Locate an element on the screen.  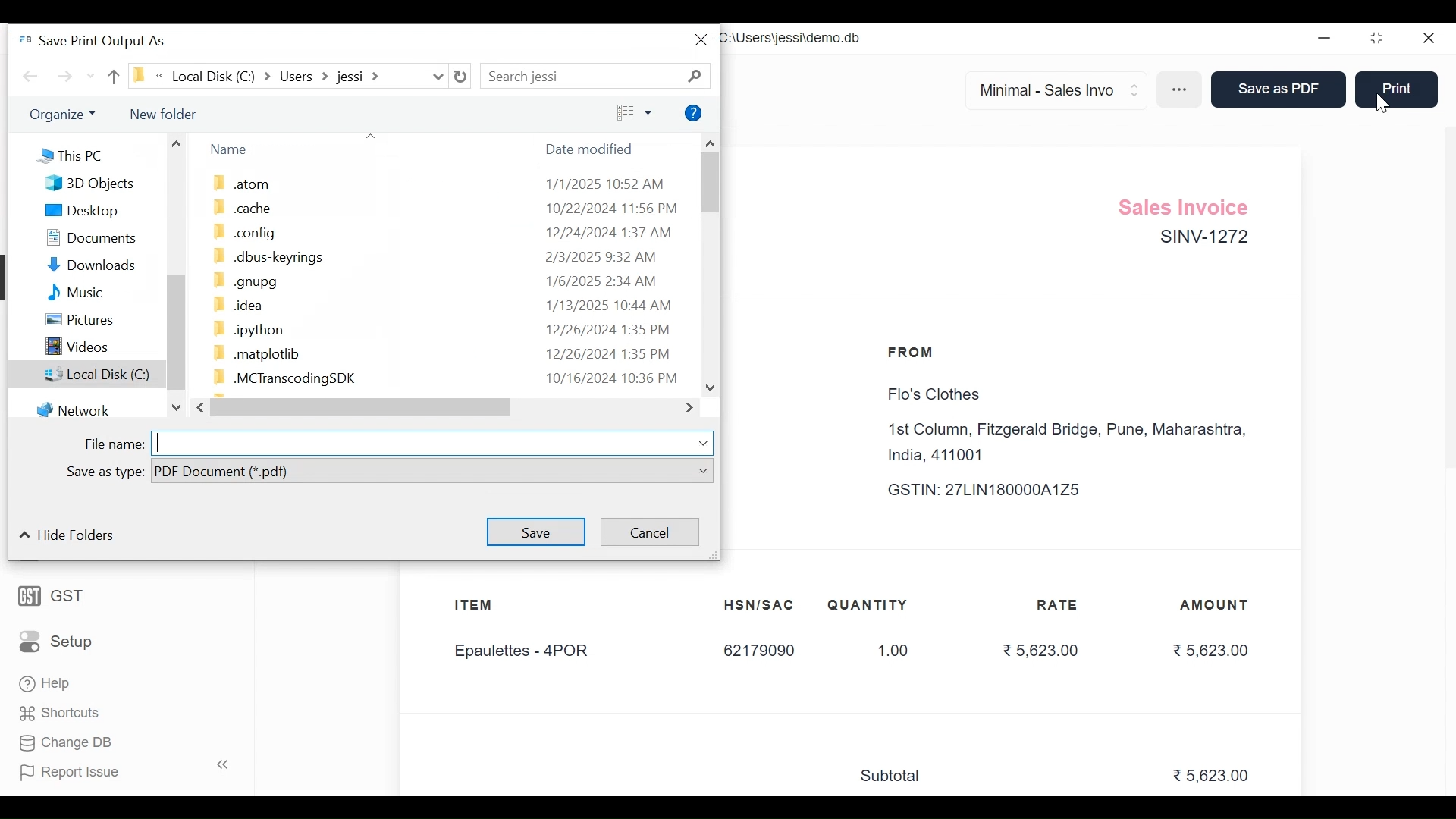
Minimal - Sales Invo is located at coordinates (1050, 89).